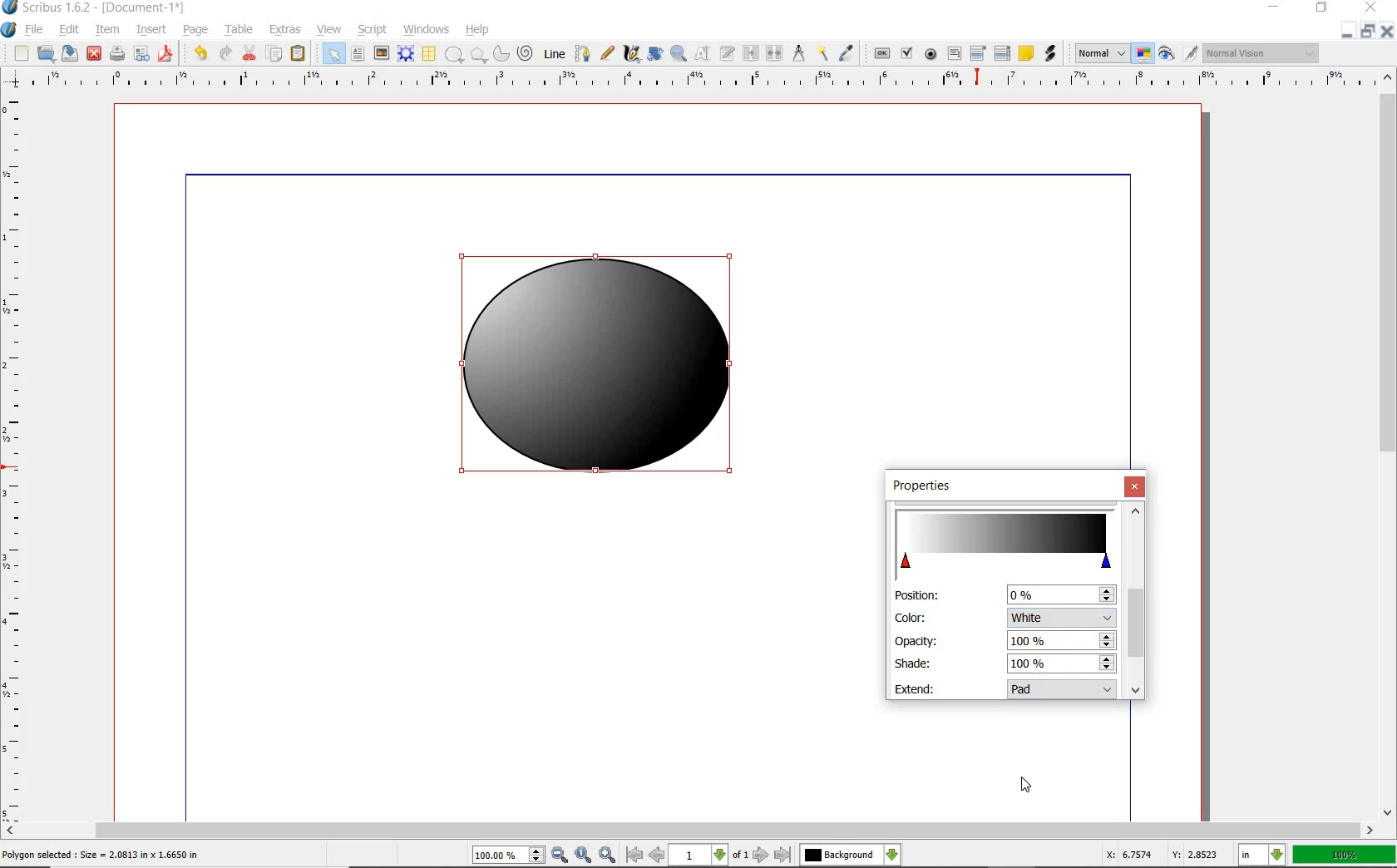 This screenshot has width=1397, height=868. What do you see at coordinates (608, 52) in the screenshot?
I see `FREEHAND LINE` at bounding box center [608, 52].